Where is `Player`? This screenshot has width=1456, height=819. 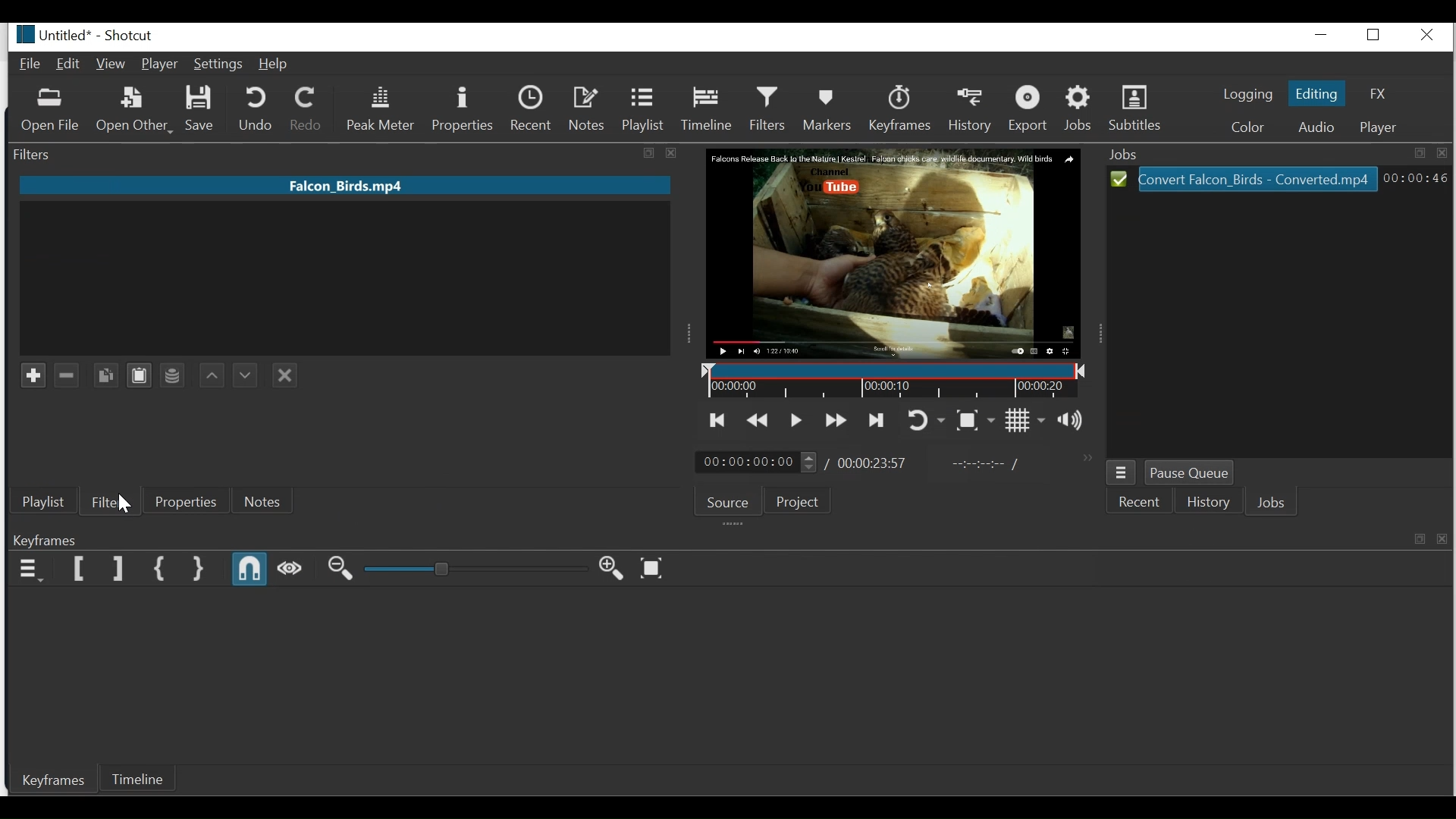
Player is located at coordinates (160, 64).